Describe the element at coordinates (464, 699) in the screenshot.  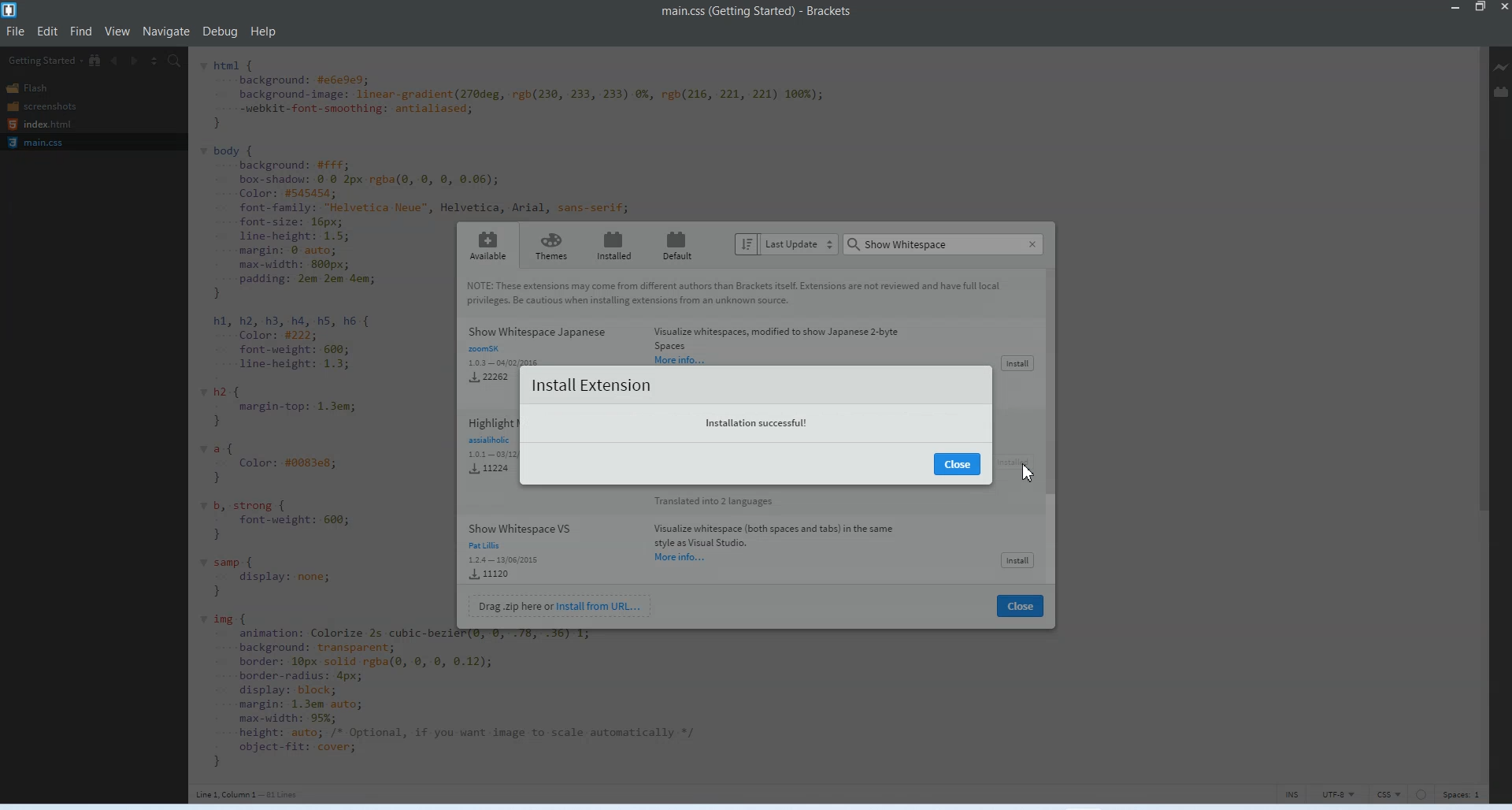
I see `code` at that location.